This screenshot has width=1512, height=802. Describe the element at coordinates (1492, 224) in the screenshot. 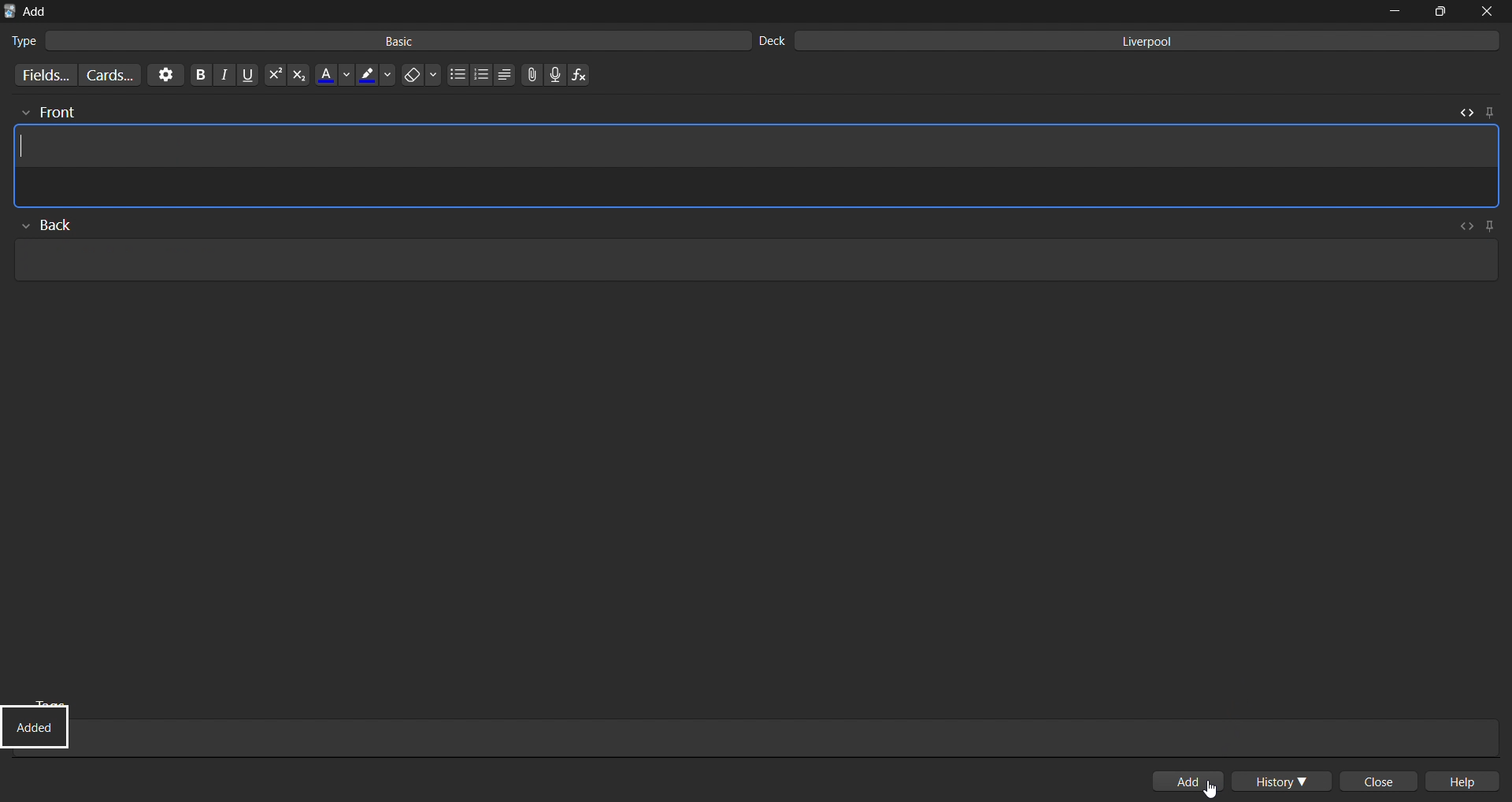

I see `pin` at that location.